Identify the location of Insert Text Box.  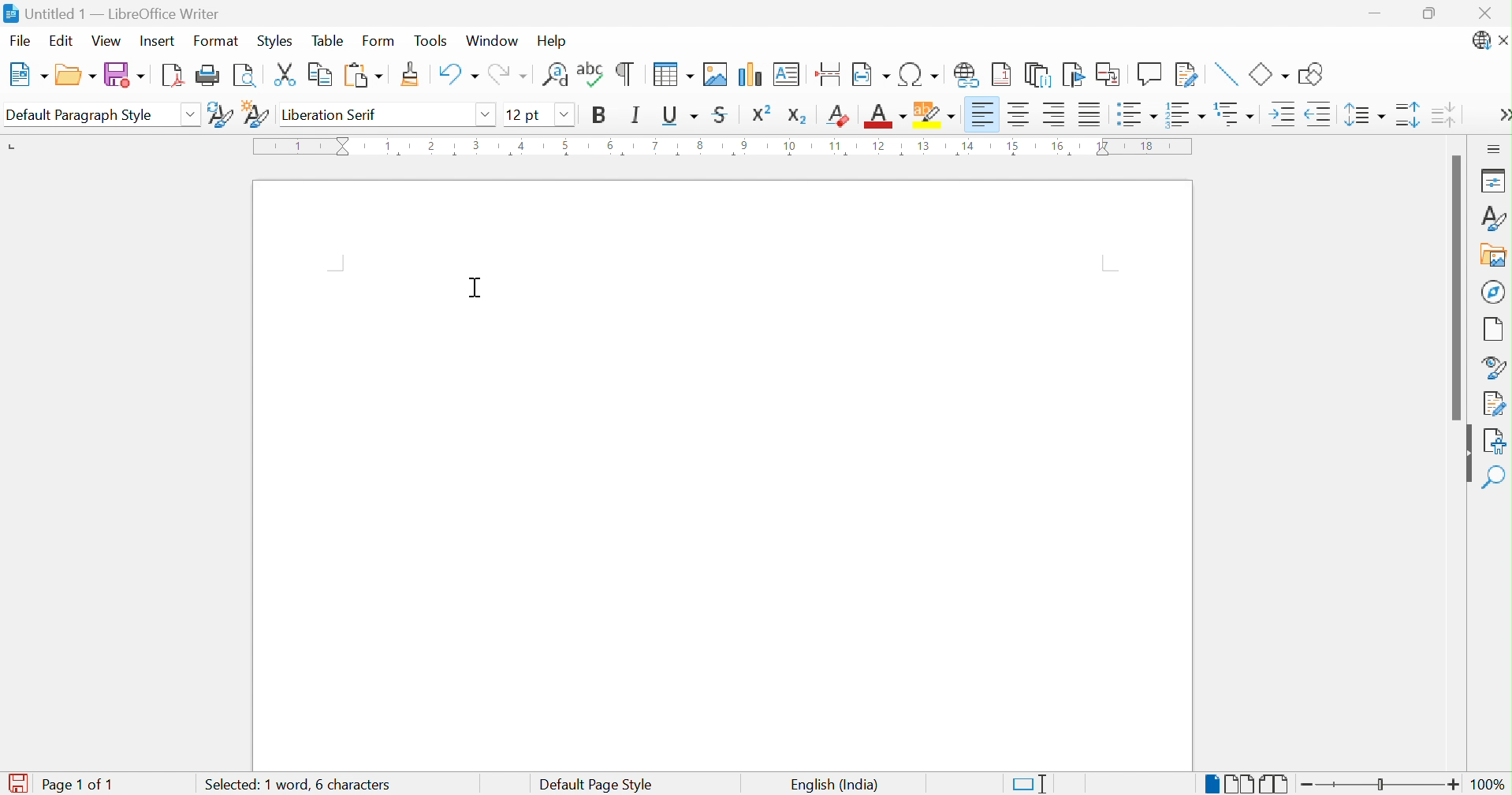
(788, 72).